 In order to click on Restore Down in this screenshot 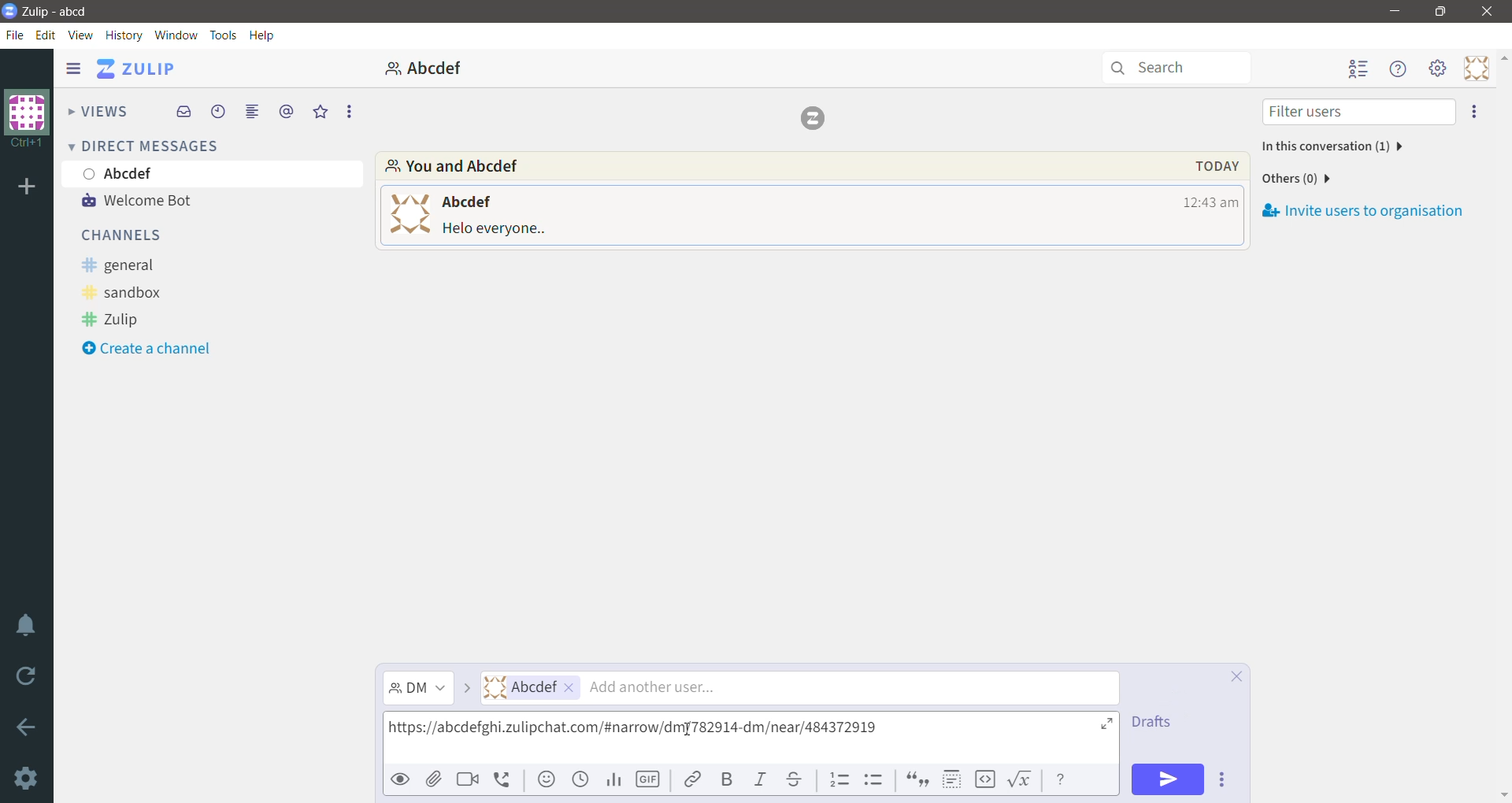, I will do `click(1443, 12)`.